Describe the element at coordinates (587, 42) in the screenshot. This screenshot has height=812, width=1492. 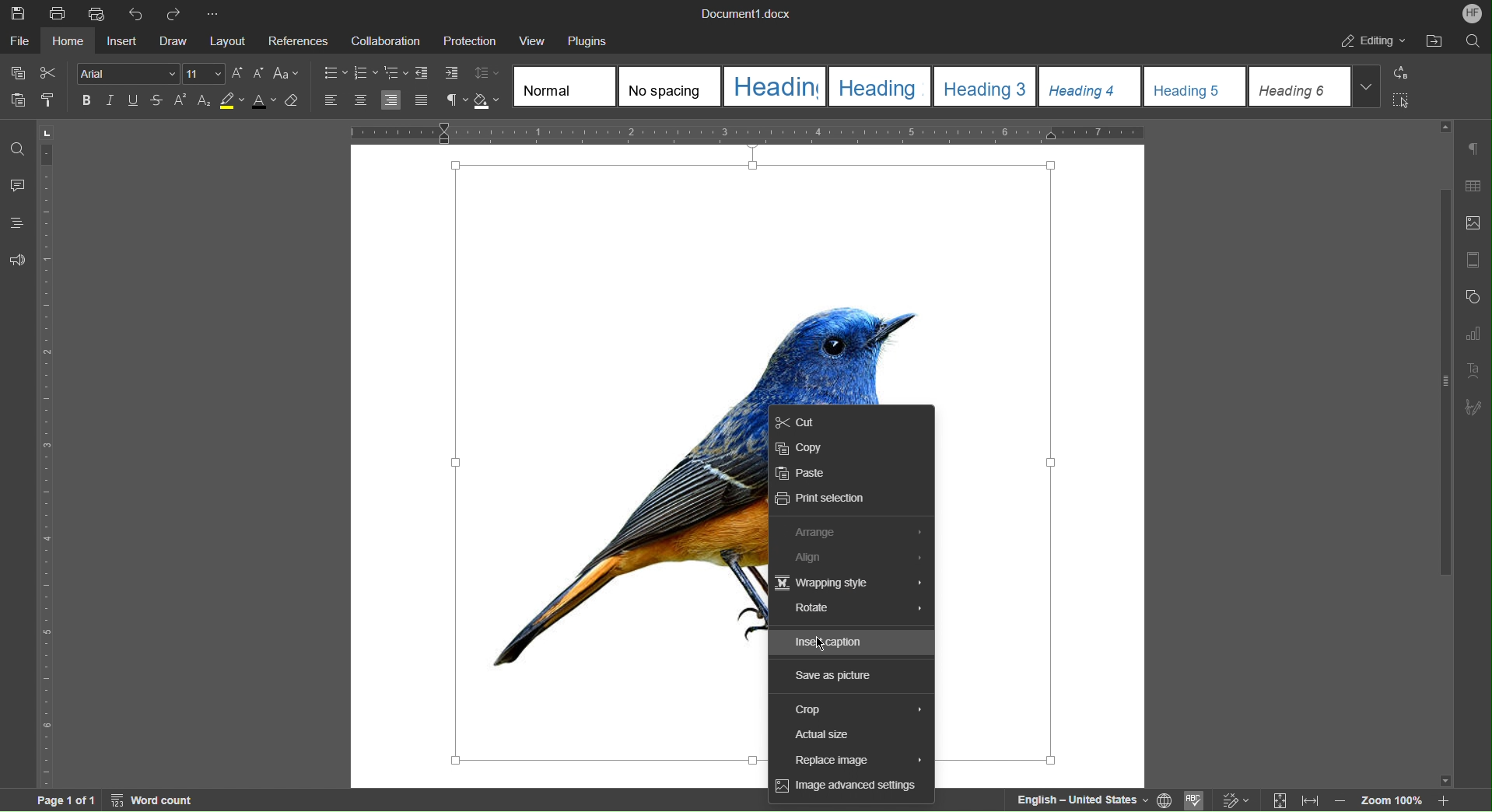
I see `Plugins` at that location.